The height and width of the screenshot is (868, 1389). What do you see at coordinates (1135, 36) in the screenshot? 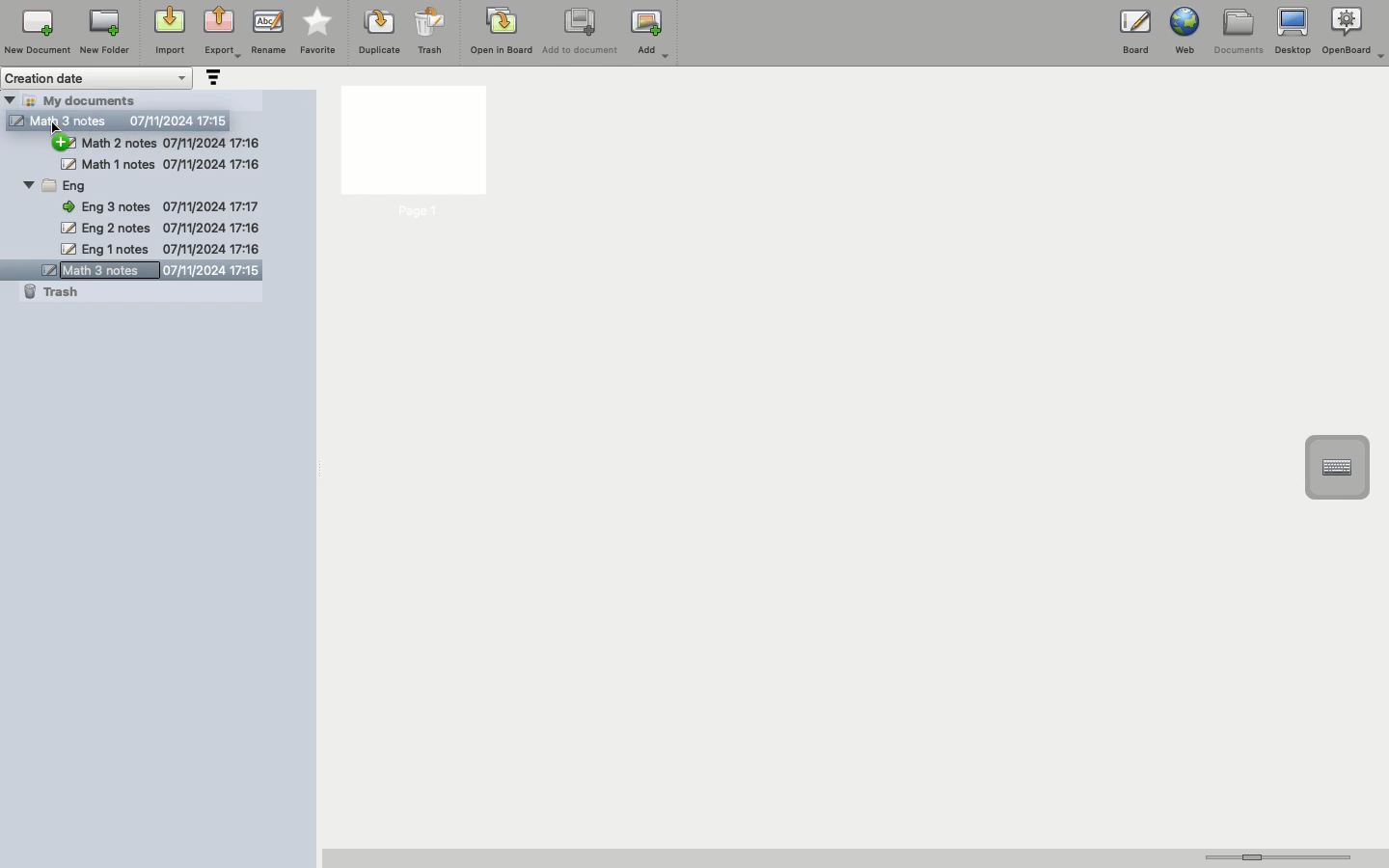
I see `Board` at bounding box center [1135, 36].